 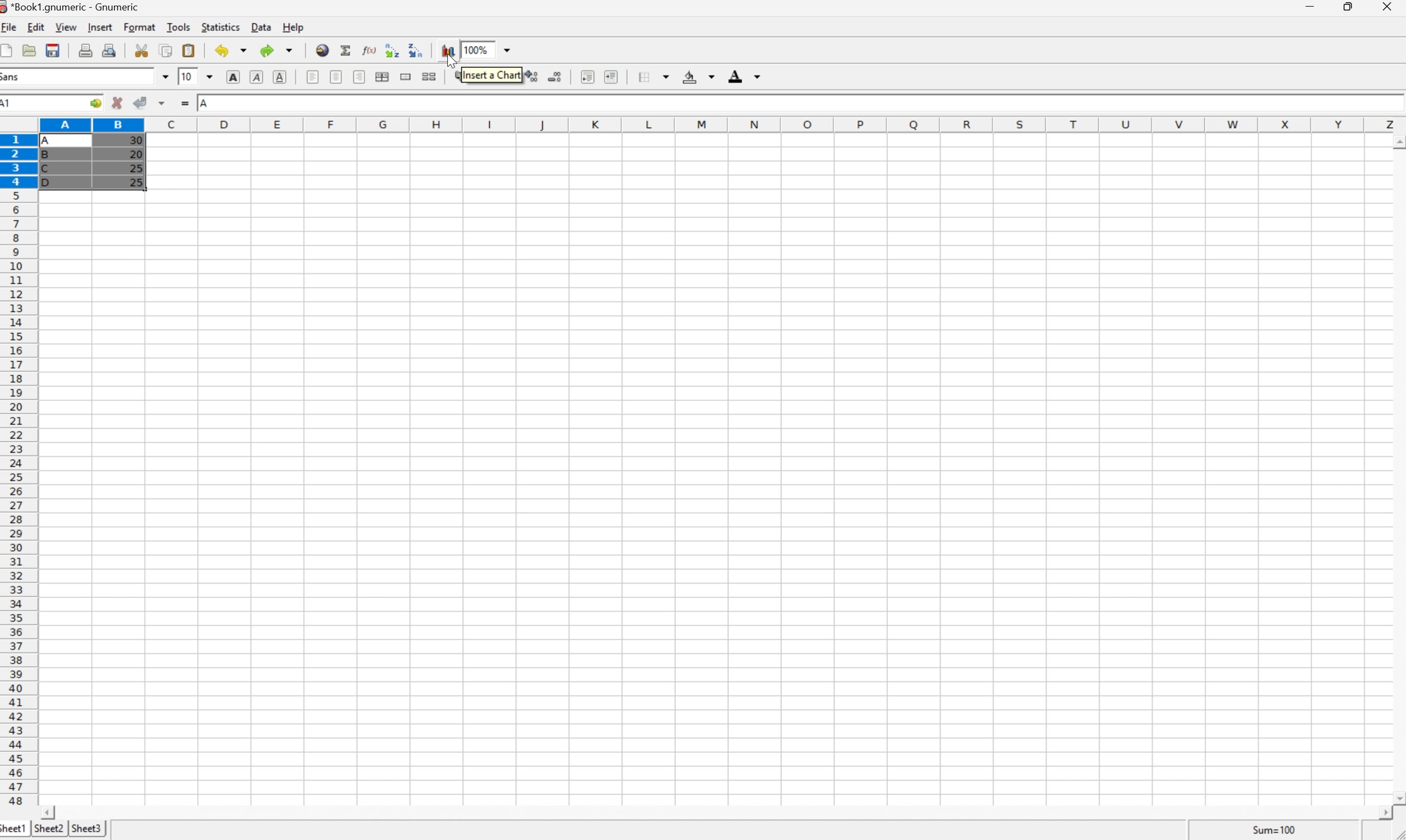 What do you see at coordinates (139, 102) in the screenshot?
I see `Accept Changes` at bounding box center [139, 102].